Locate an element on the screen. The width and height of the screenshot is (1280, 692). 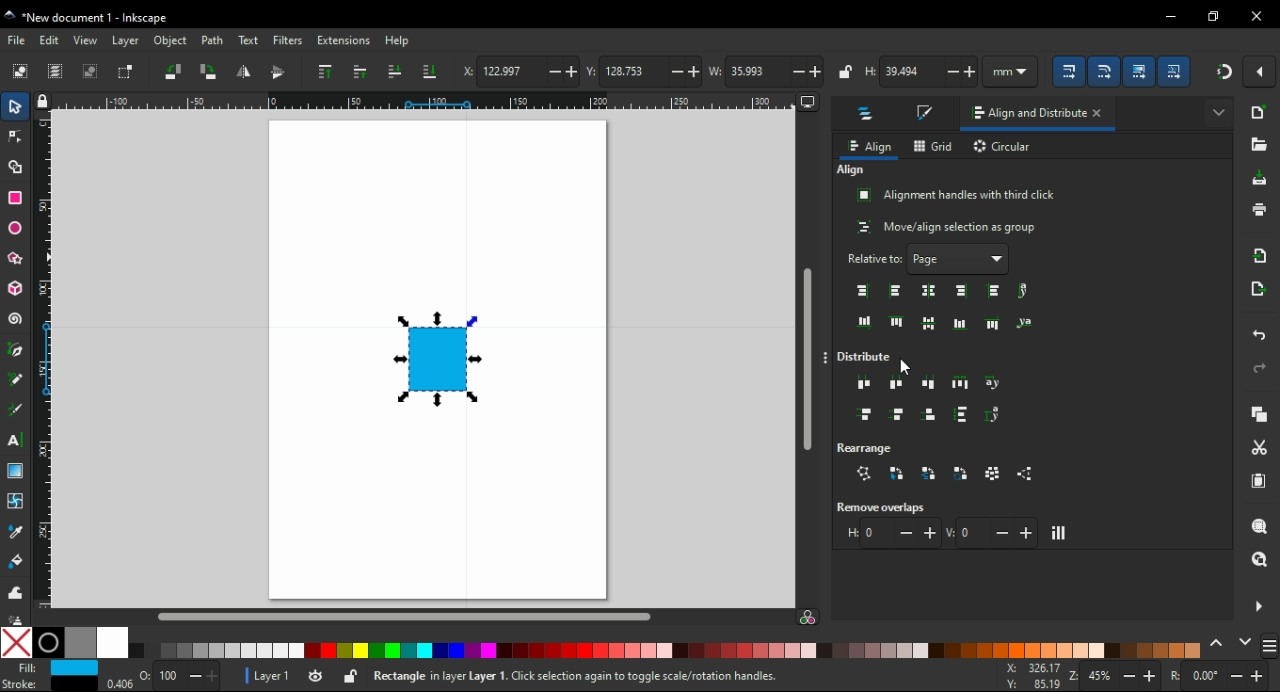
lock  is located at coordinates (846, 71).